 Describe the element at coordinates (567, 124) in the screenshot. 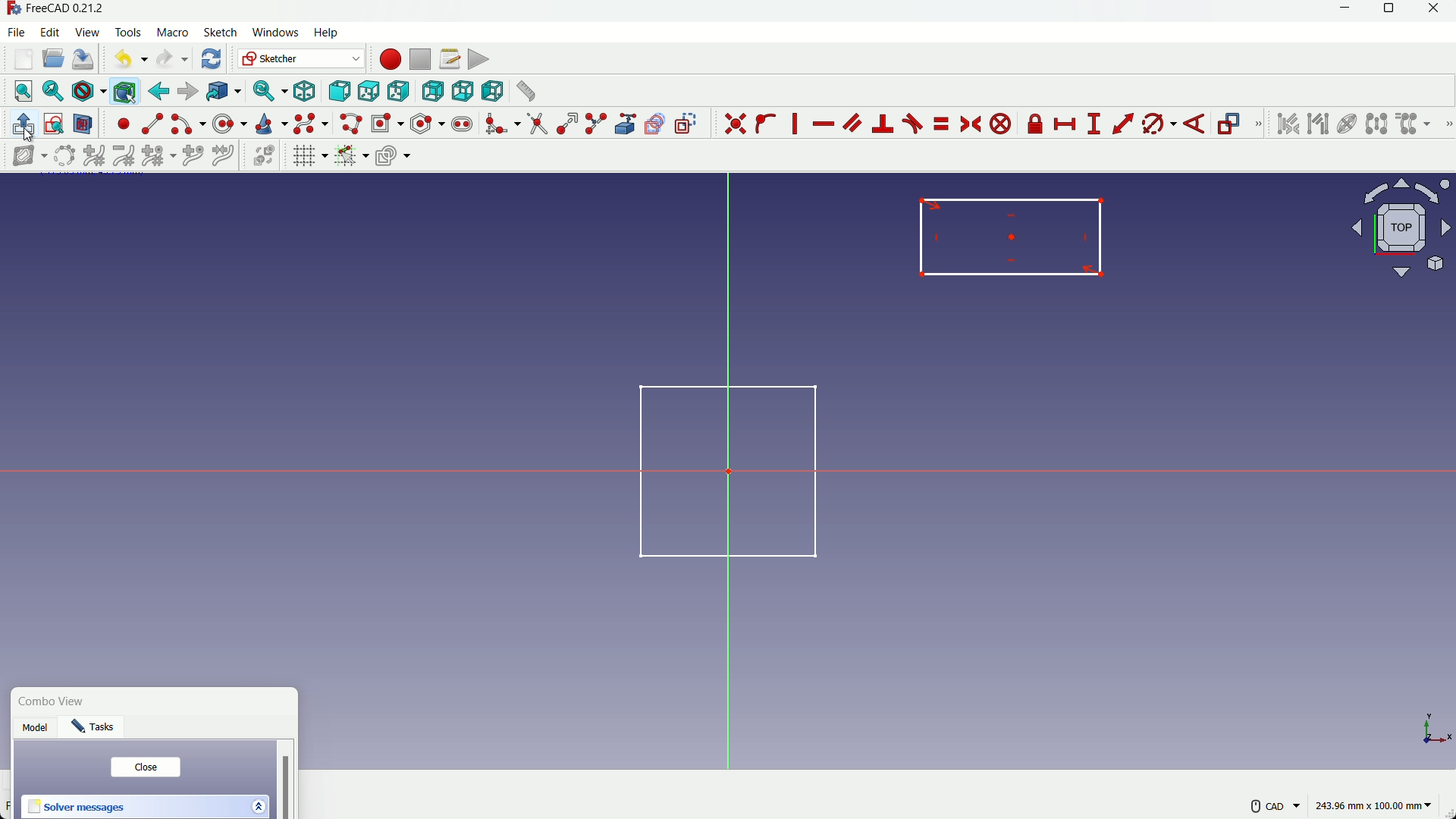

I see `extend edge` at that location.